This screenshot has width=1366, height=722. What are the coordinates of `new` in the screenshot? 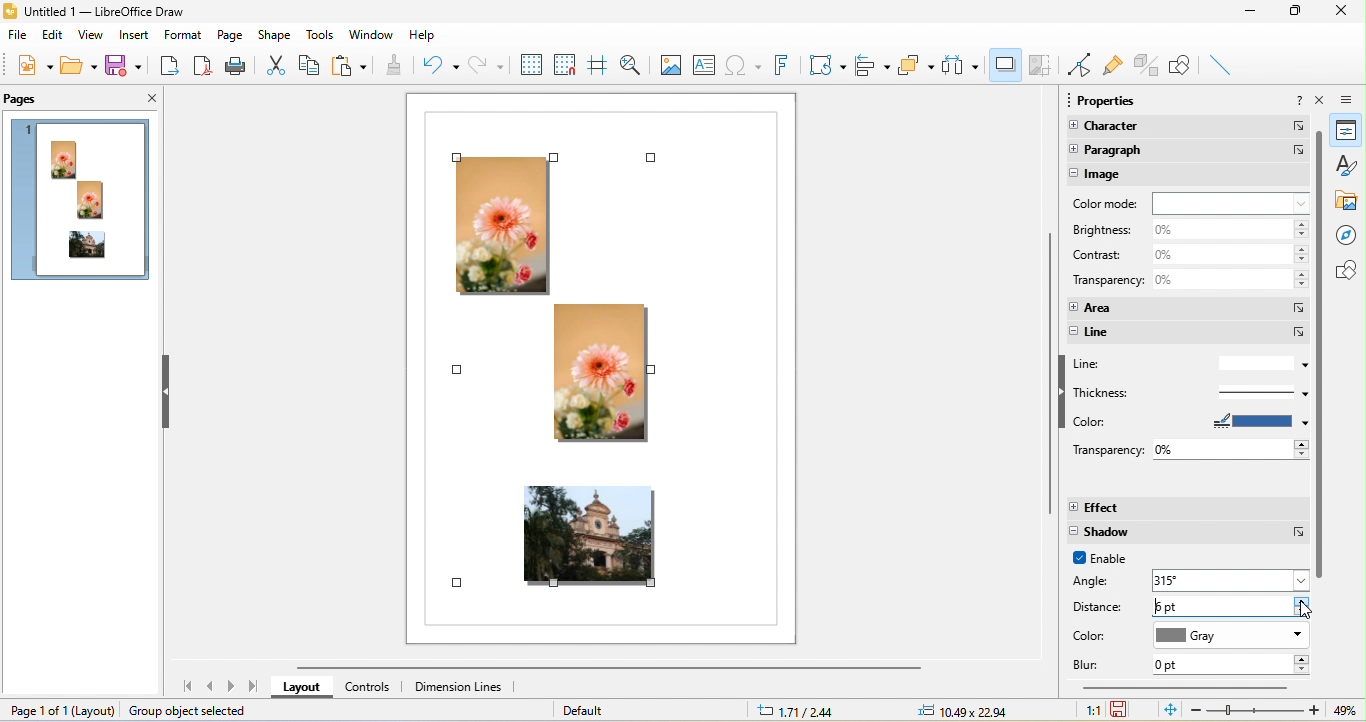 It's located at (31, 68).